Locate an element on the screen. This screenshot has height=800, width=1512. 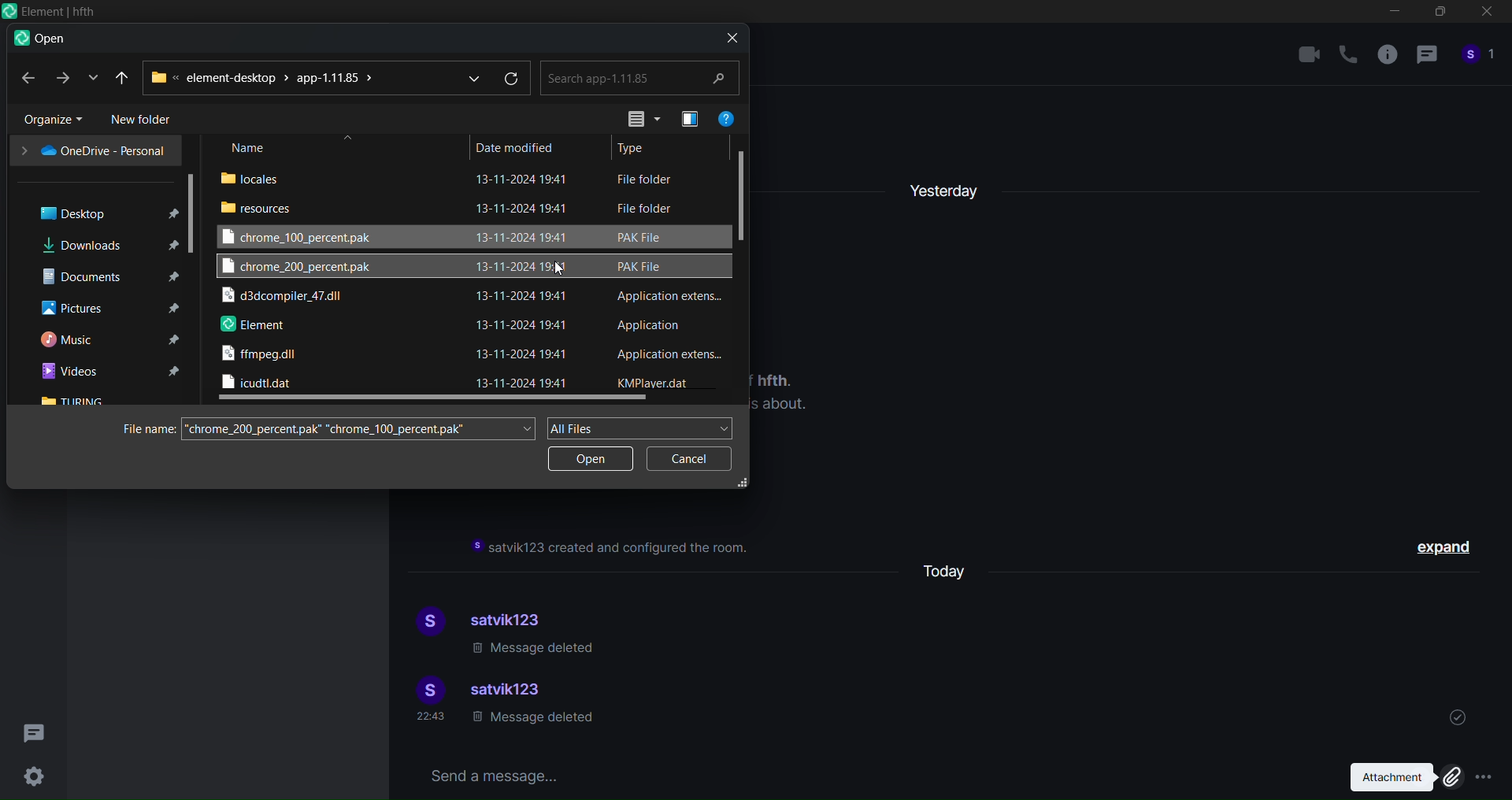
preview pane is located at coordinates (686, 118).